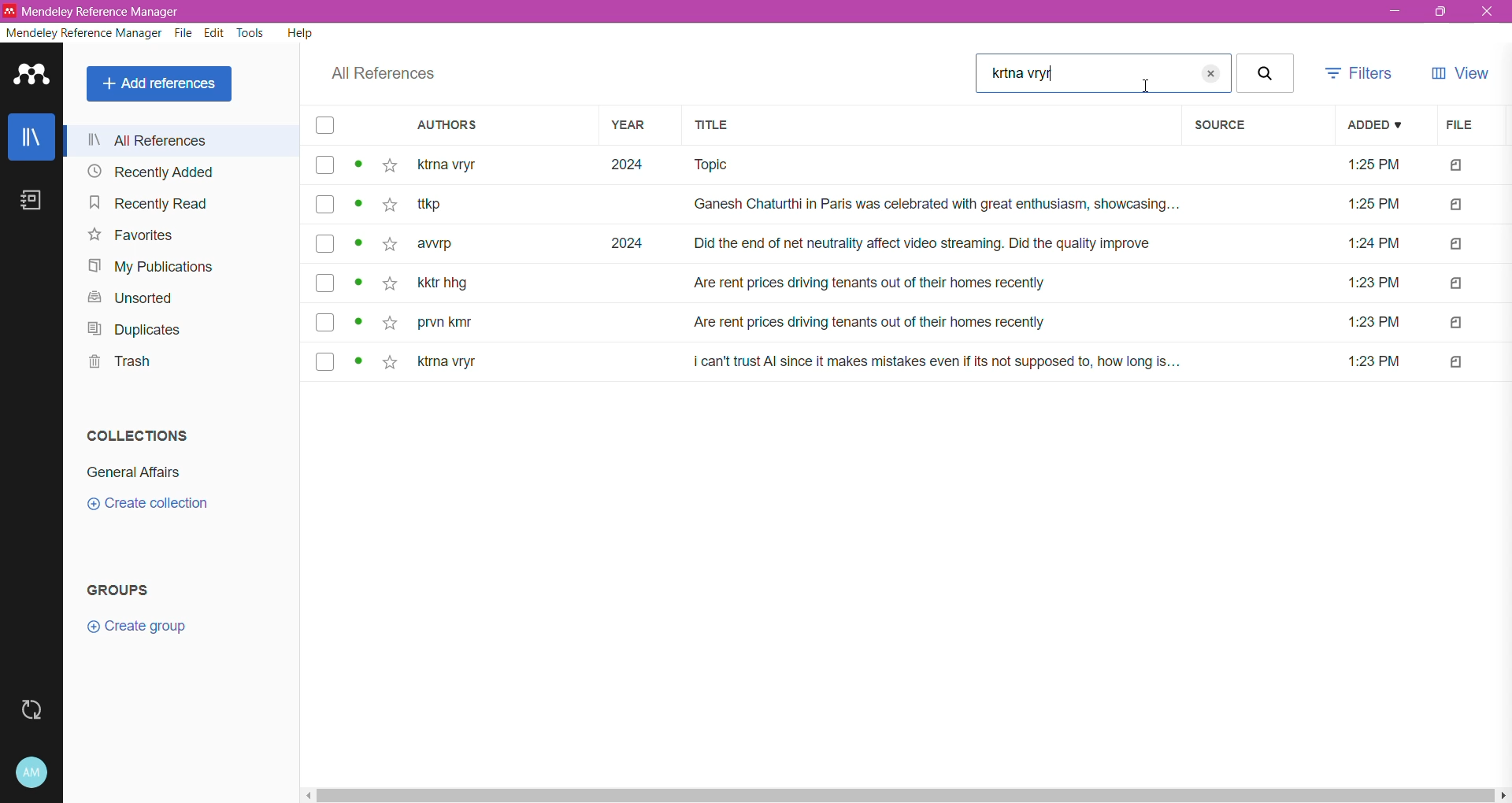 This screenshot has height=803, width=1512. I want to click on Account and Help, so click(32, 773).